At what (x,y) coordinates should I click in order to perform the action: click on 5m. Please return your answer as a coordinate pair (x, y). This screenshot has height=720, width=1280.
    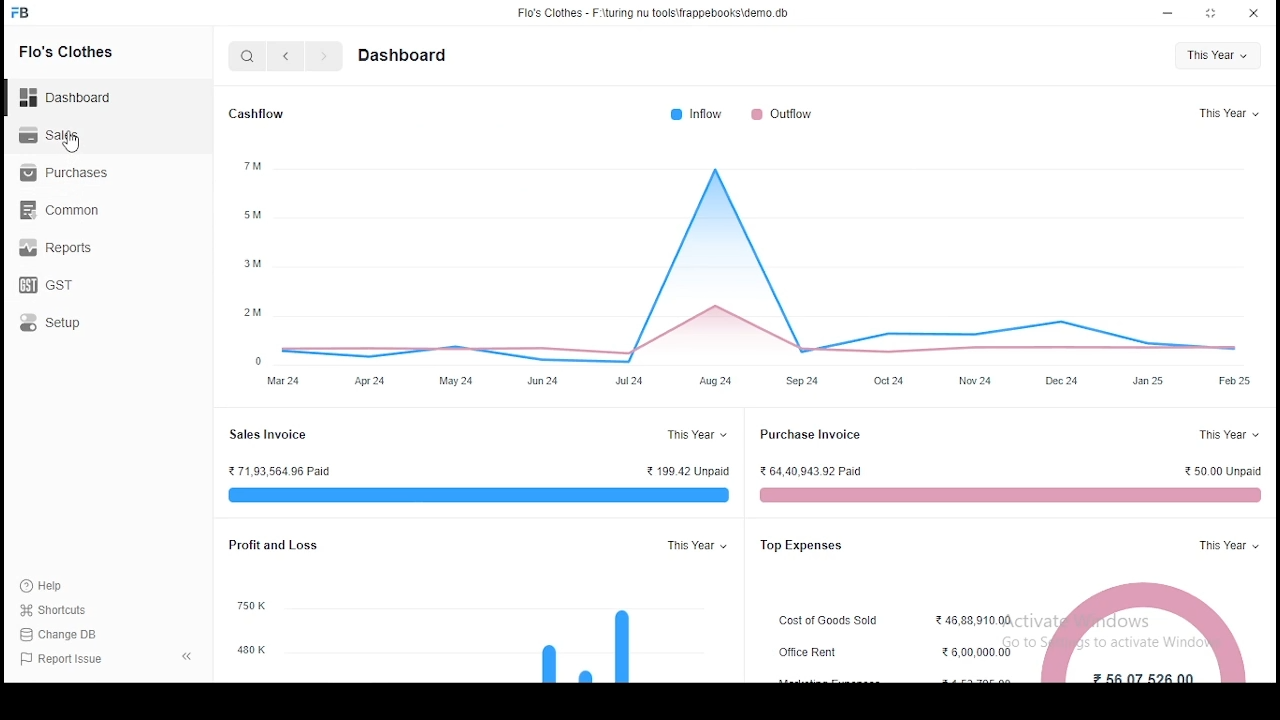
    Looking at the image, I should click on (252, 216).